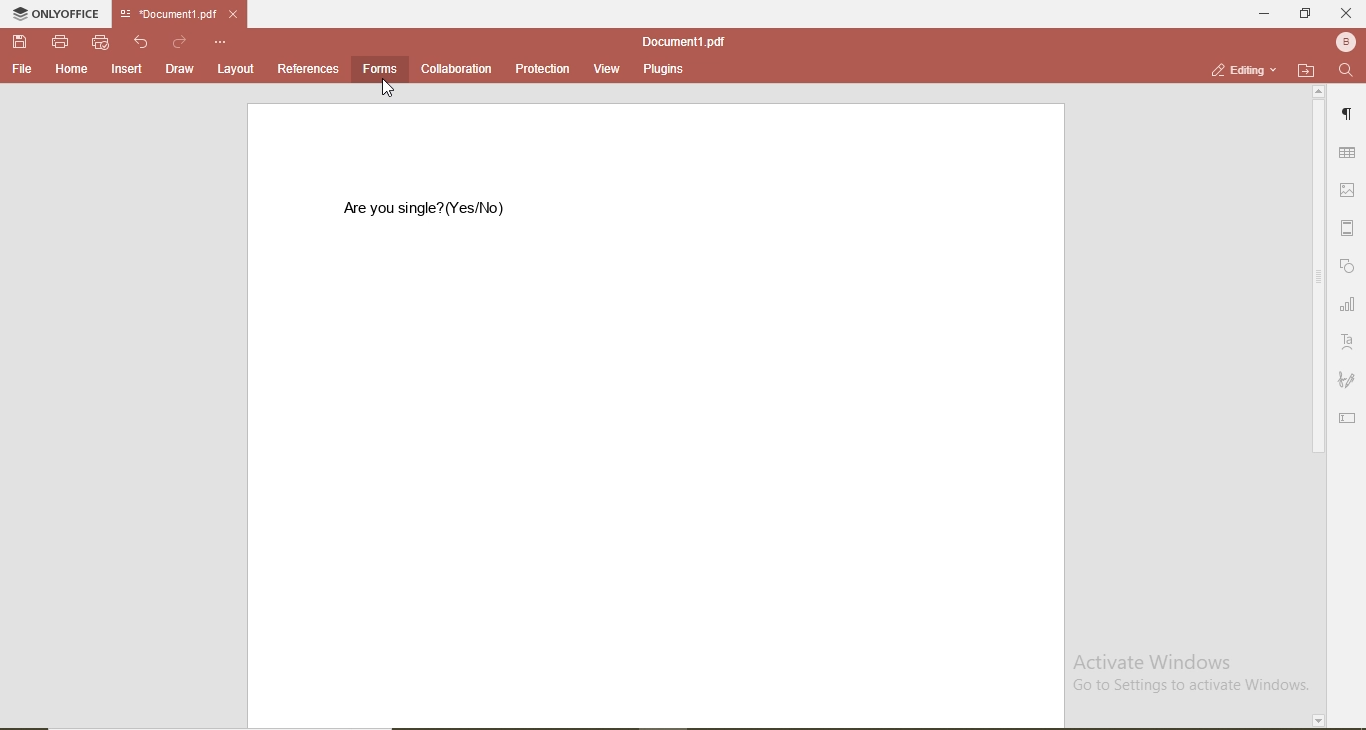  I want to click on draw, so click(179, 69).